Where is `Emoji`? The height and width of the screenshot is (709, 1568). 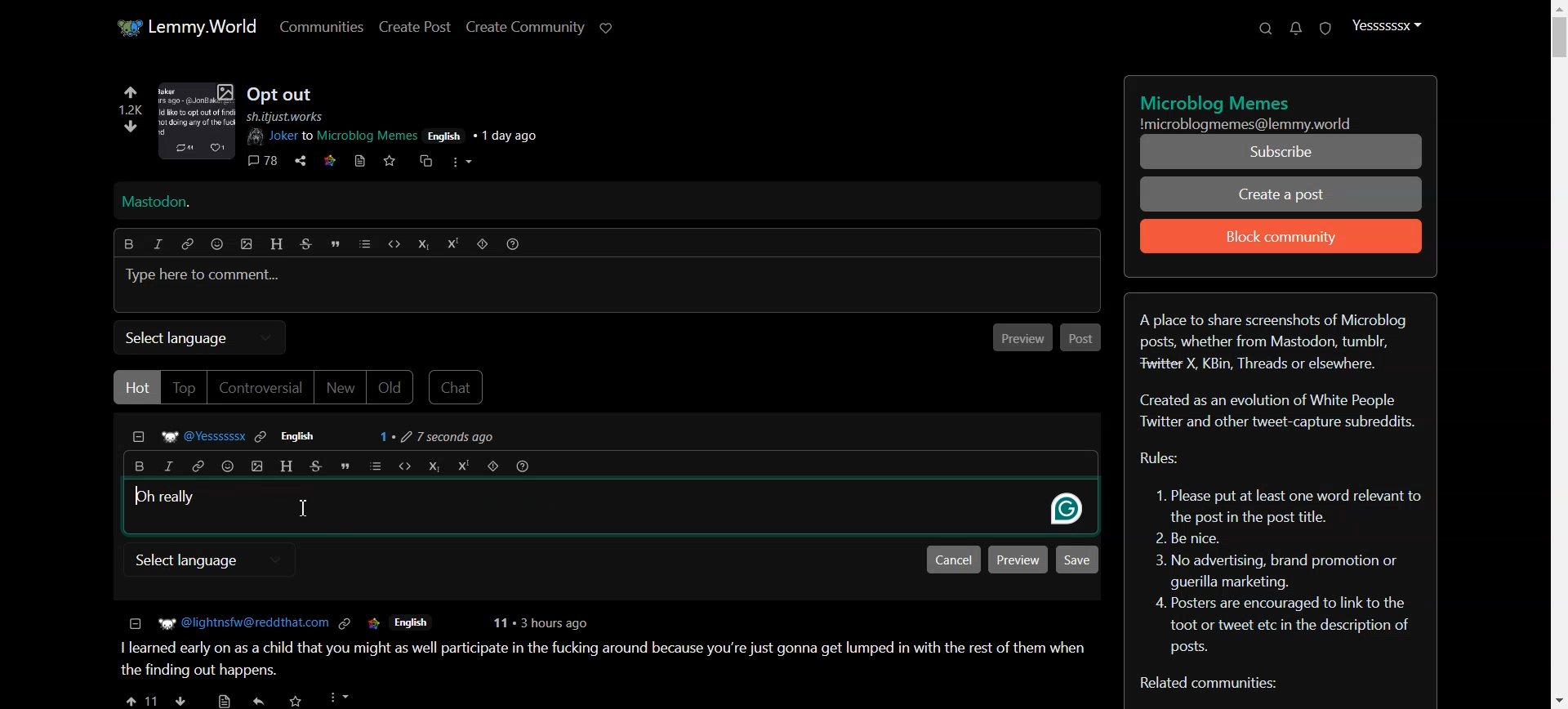 Emoji is located at coordinates (225, 466).